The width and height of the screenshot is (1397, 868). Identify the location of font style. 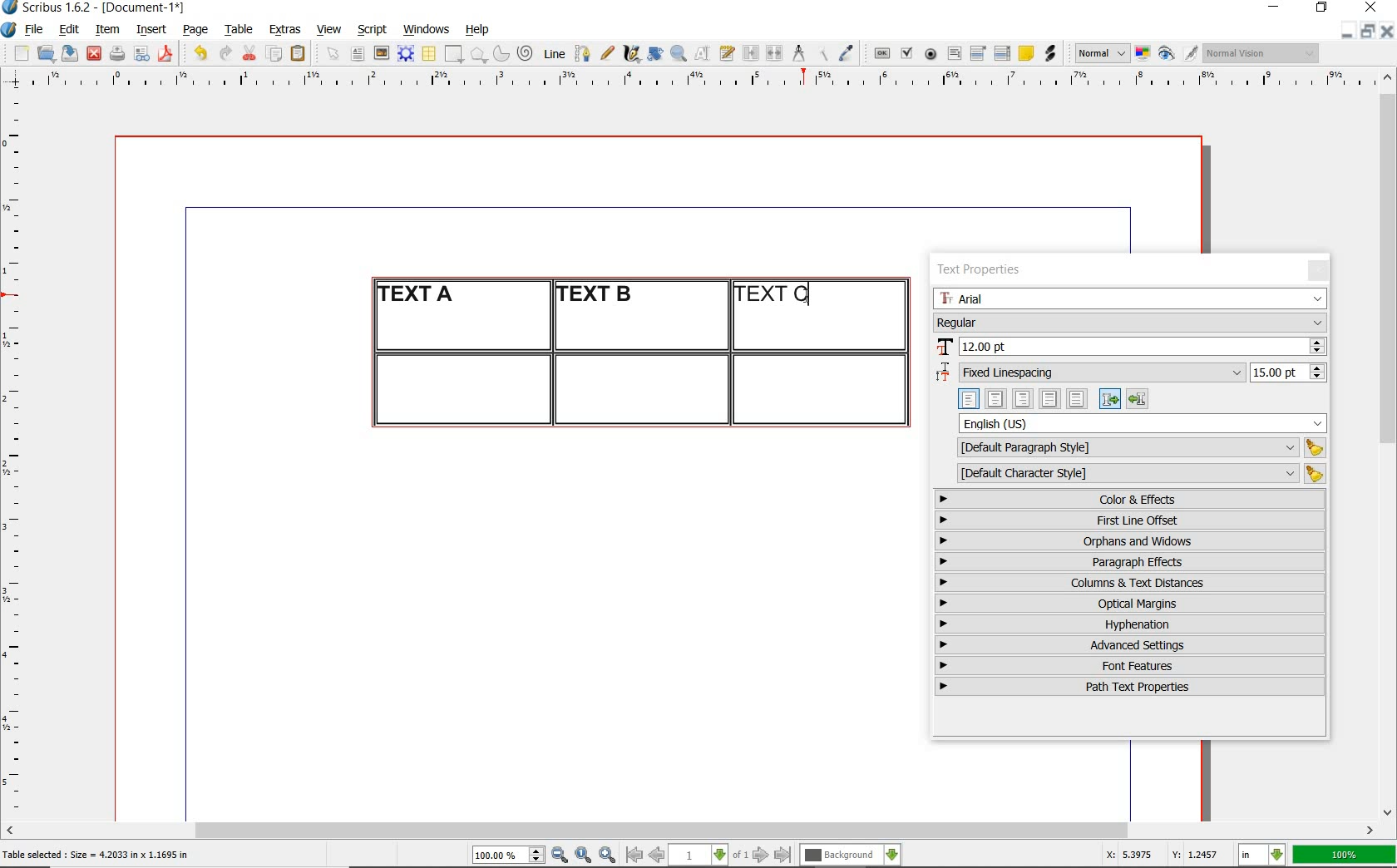
(1130, 322).